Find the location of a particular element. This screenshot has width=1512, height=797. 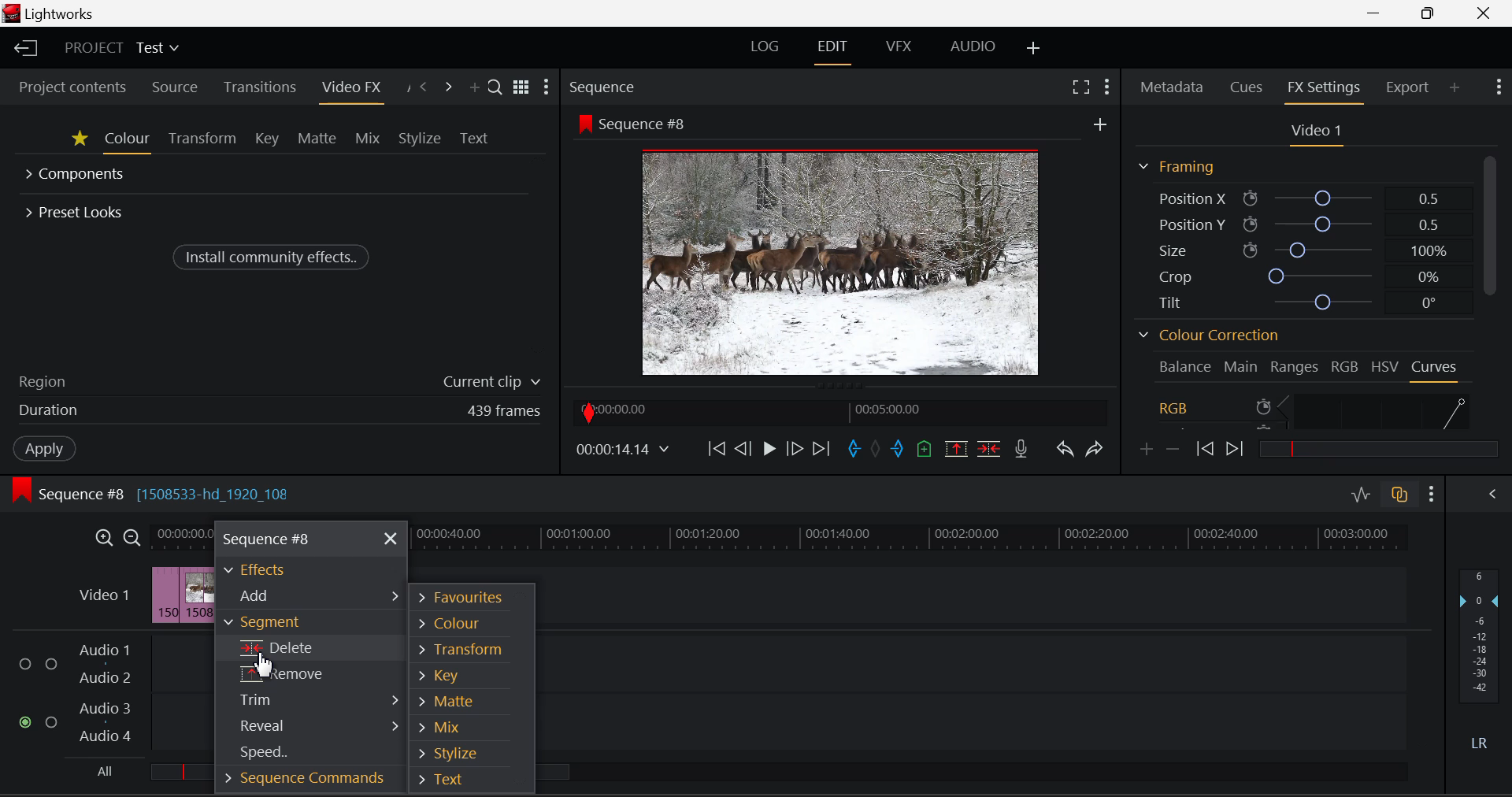

To Start is located at coordinates (718, 450).